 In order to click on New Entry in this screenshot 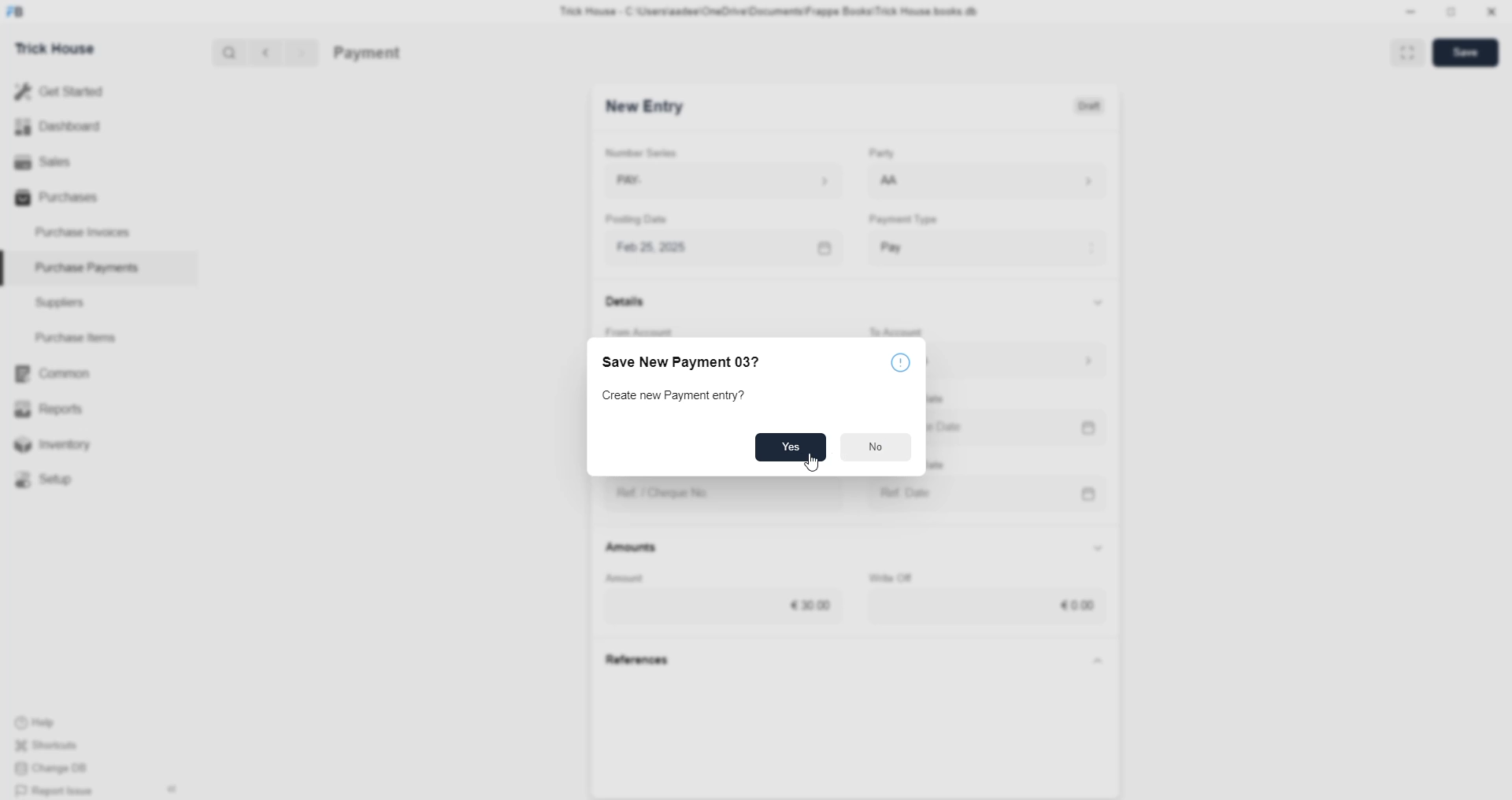, I will do `click(649, 107)`.